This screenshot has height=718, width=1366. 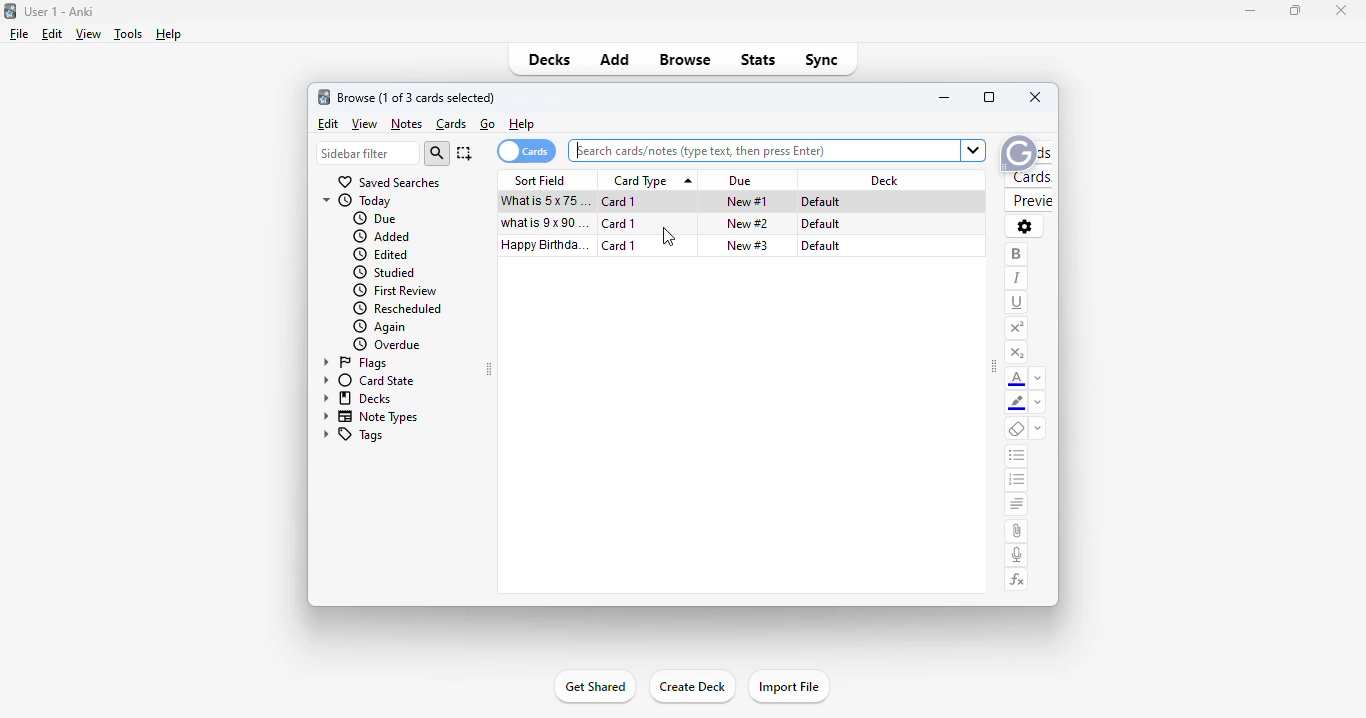 What do you see at coordinates (884, 181) in the screenshot?
I see `deck` at bounding box center [884, 181].